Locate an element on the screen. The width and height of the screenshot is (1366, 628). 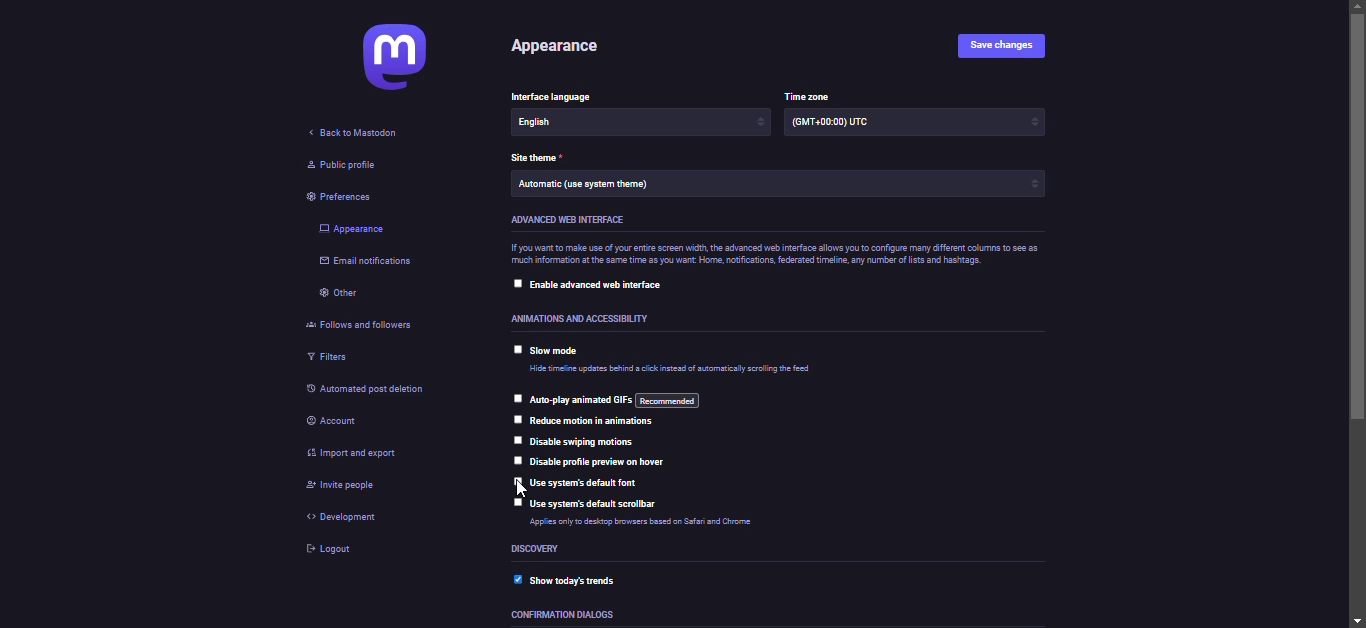
automated post deletion is located at coordinates (377, 388).